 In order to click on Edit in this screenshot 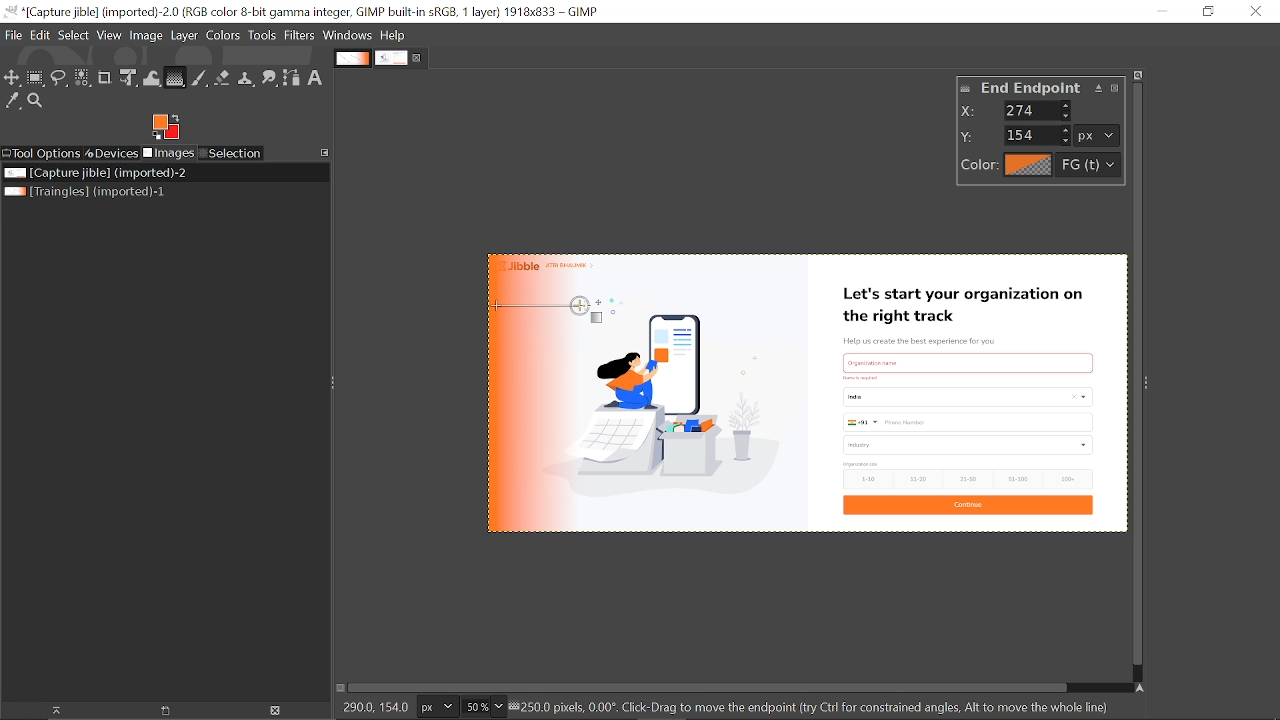, I will do `click(39, 35)`.